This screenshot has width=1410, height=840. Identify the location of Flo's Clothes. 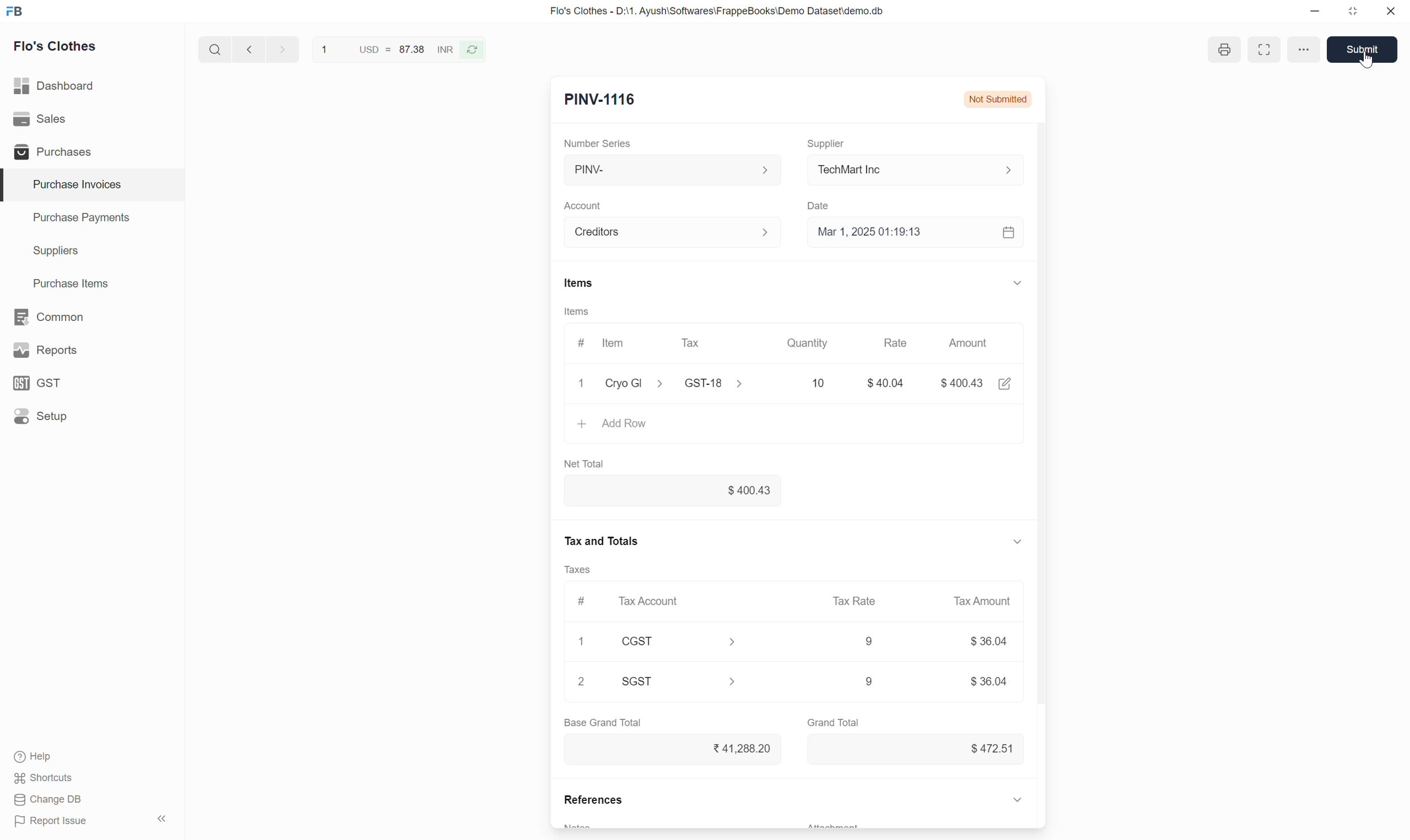
(57, 48).